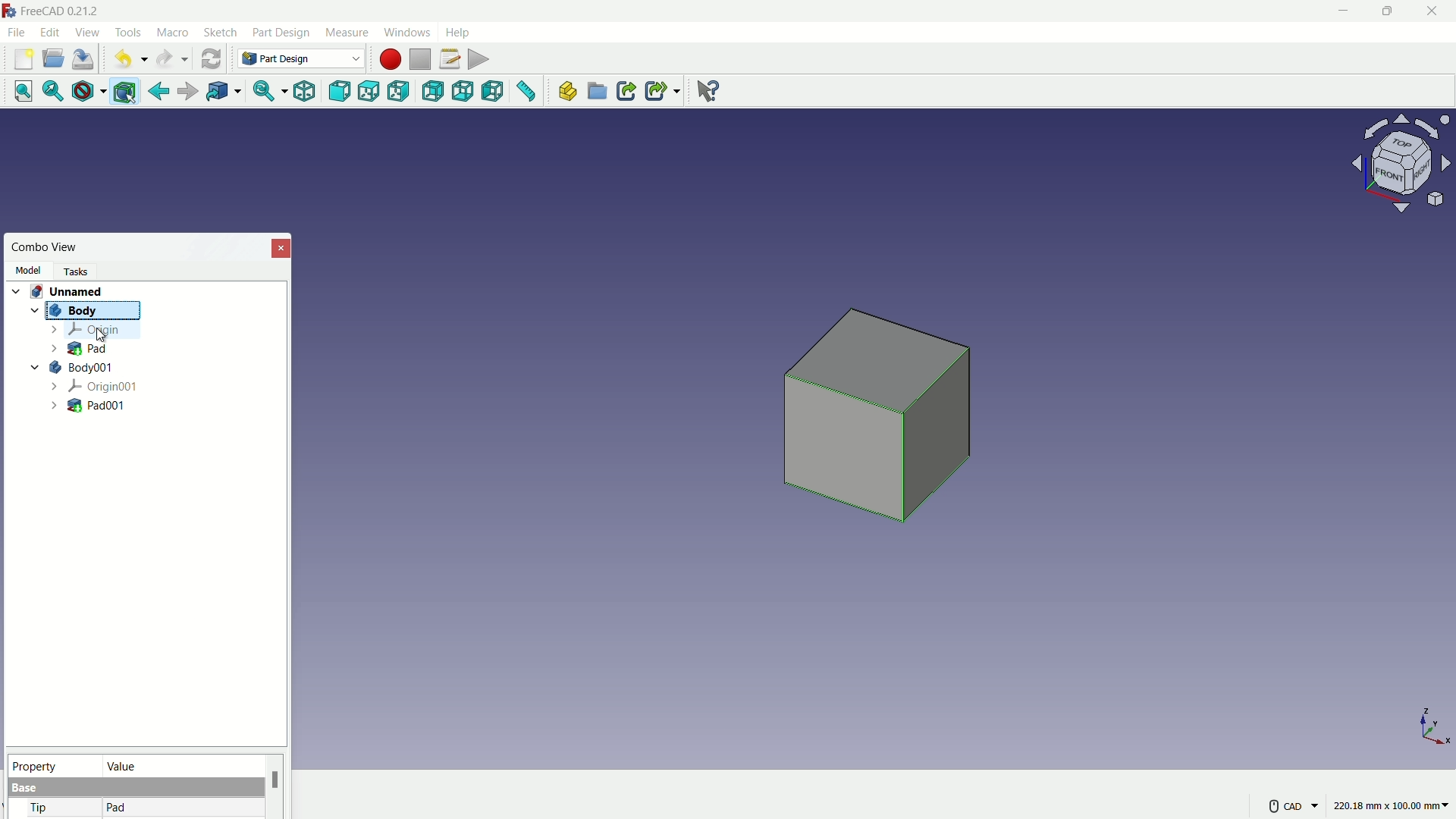 This screenshot has width=1456, height=819. What do you see at coordinates (1385, 11) in the screenshot?
I see `maximize or restore` at bounding box center [1385, 11].